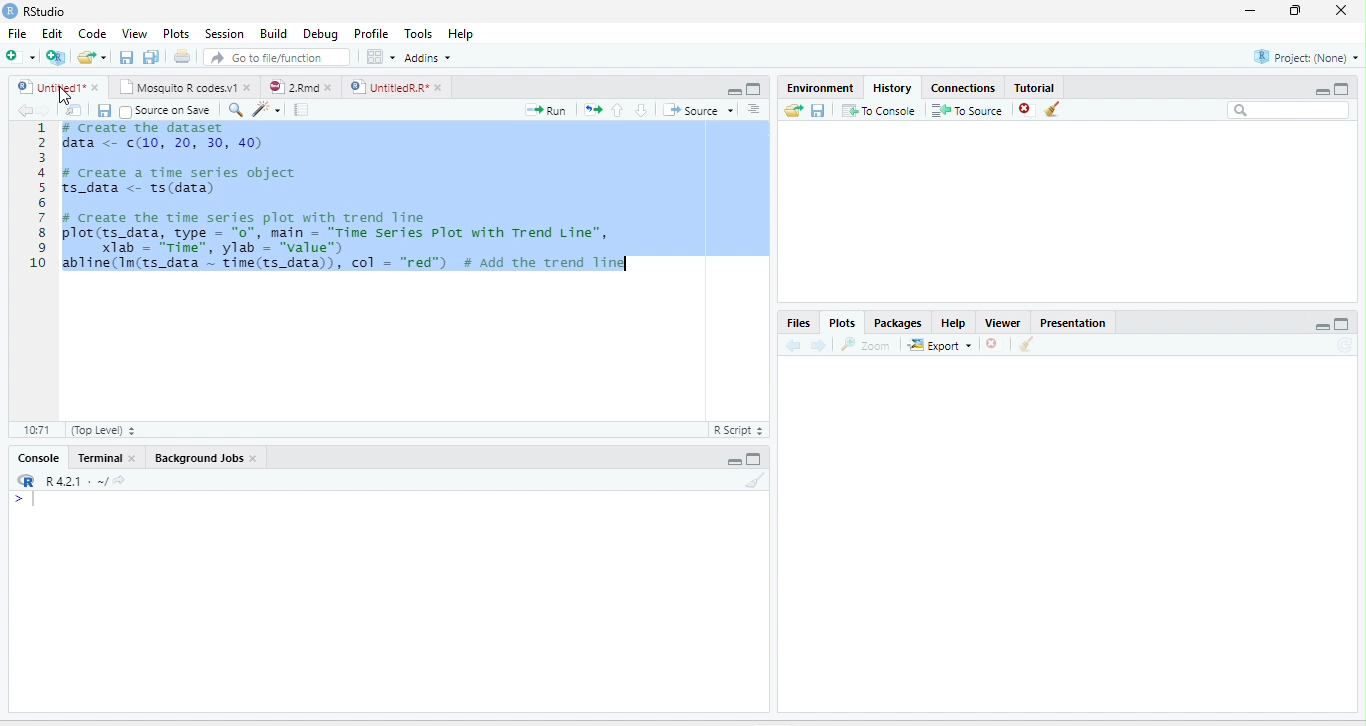 This screenshot has height=726, width=1366. I want to click on Next plot, so click(818, 345).